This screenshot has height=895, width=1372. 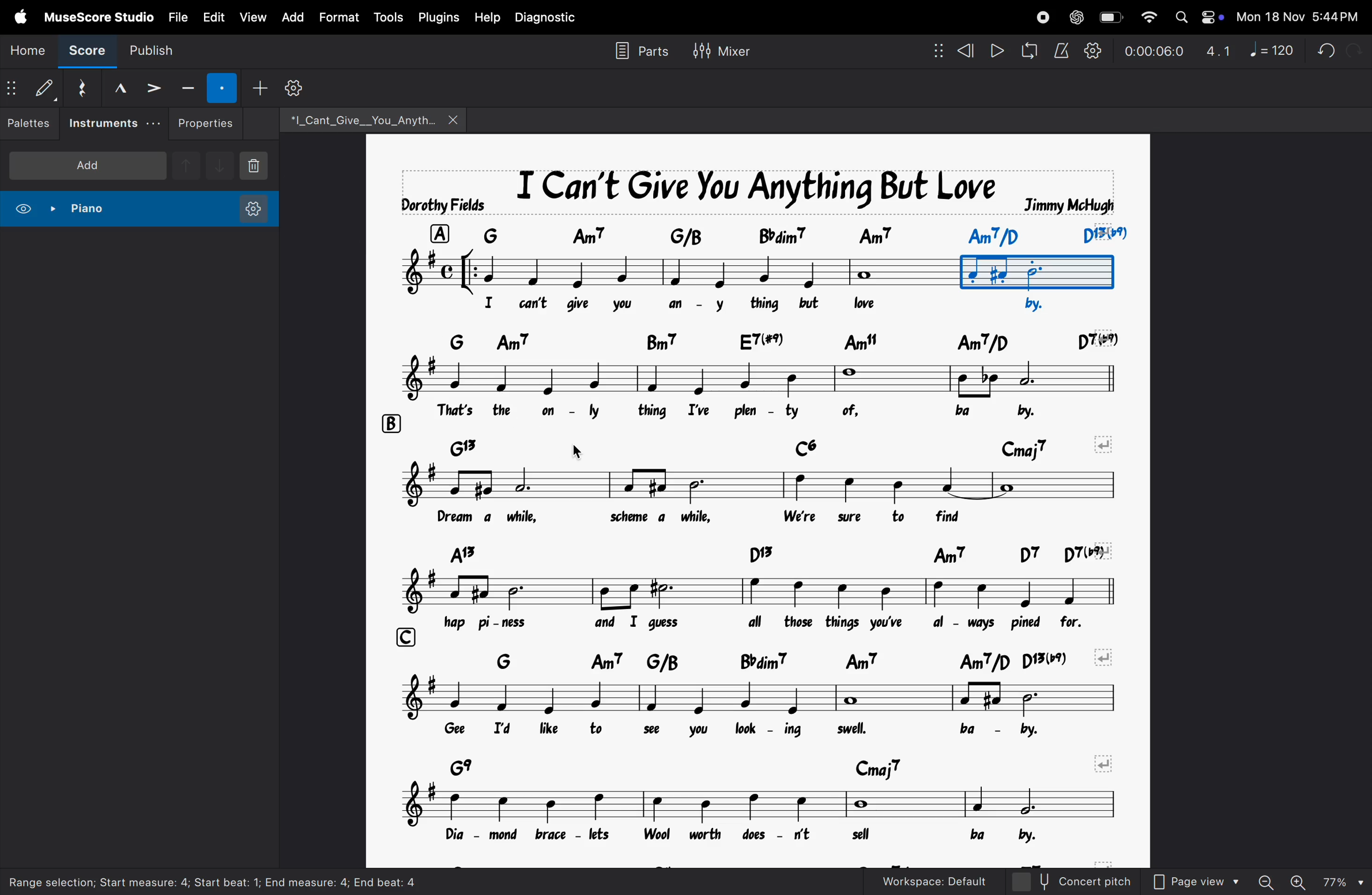 I want to click on chord symbol, so click(x=803, y=337).